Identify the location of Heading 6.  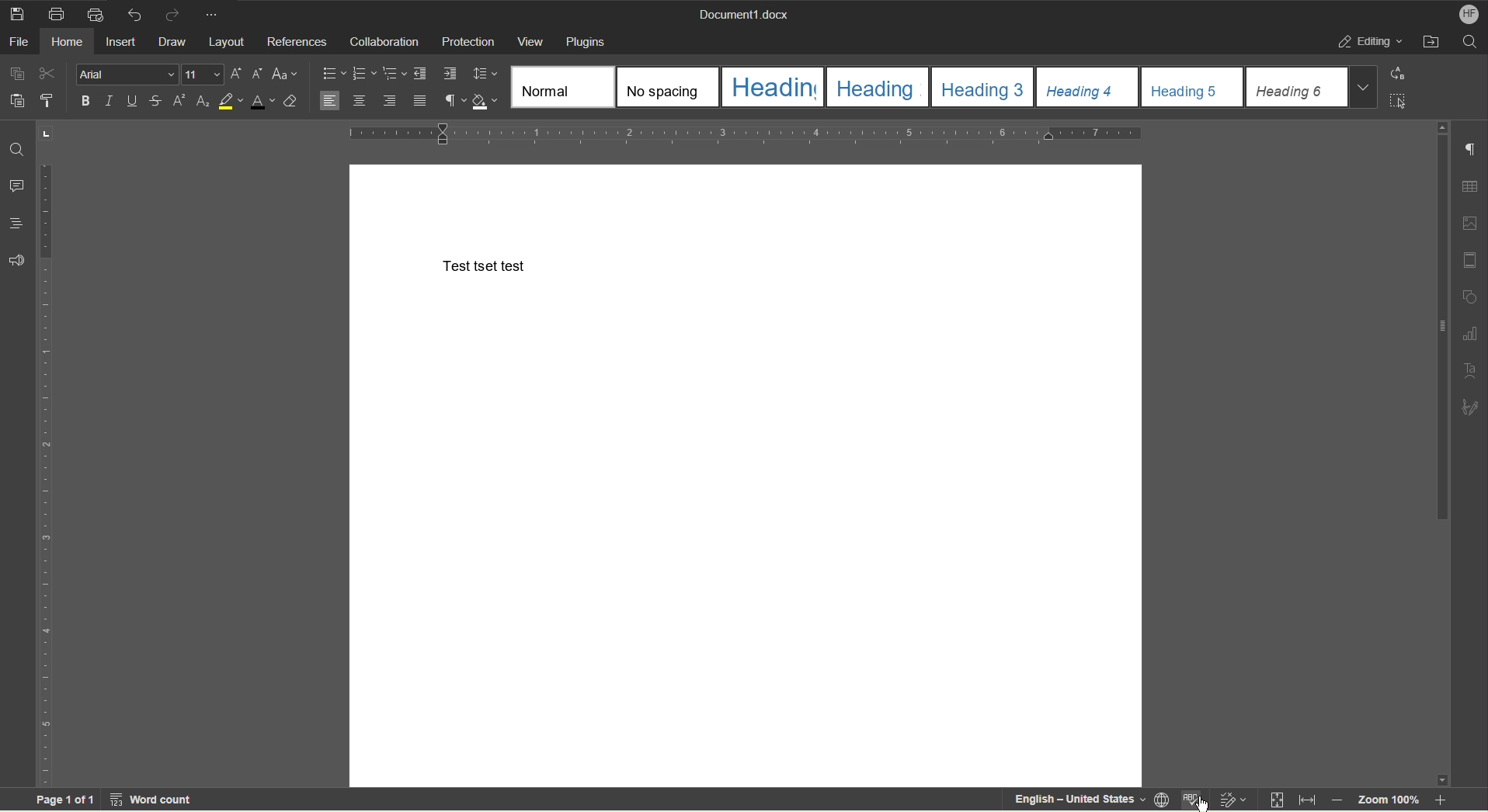
(1312, 87).